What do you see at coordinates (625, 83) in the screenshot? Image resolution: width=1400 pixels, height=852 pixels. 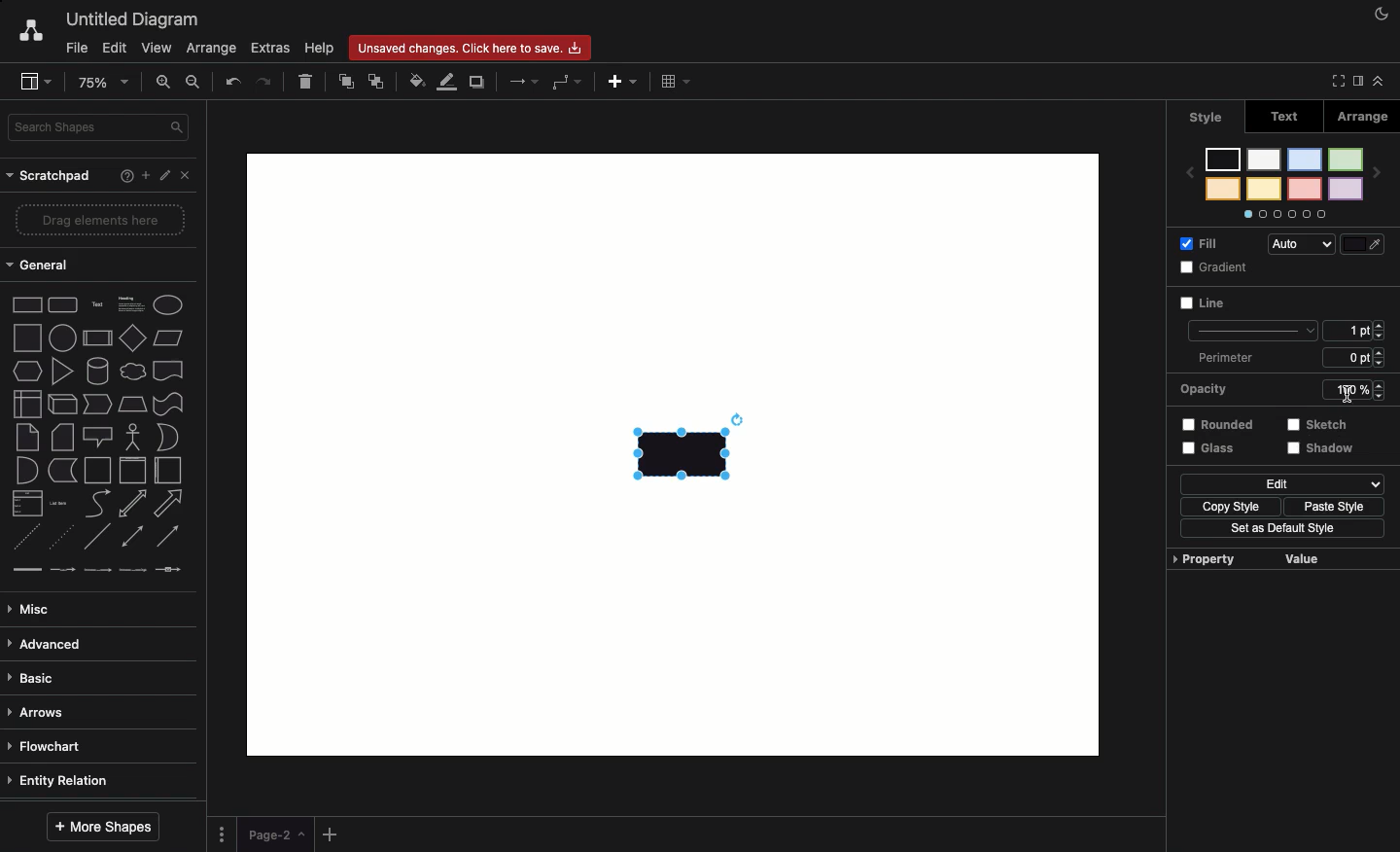 I see `Add` at bounding box center [625, 83].